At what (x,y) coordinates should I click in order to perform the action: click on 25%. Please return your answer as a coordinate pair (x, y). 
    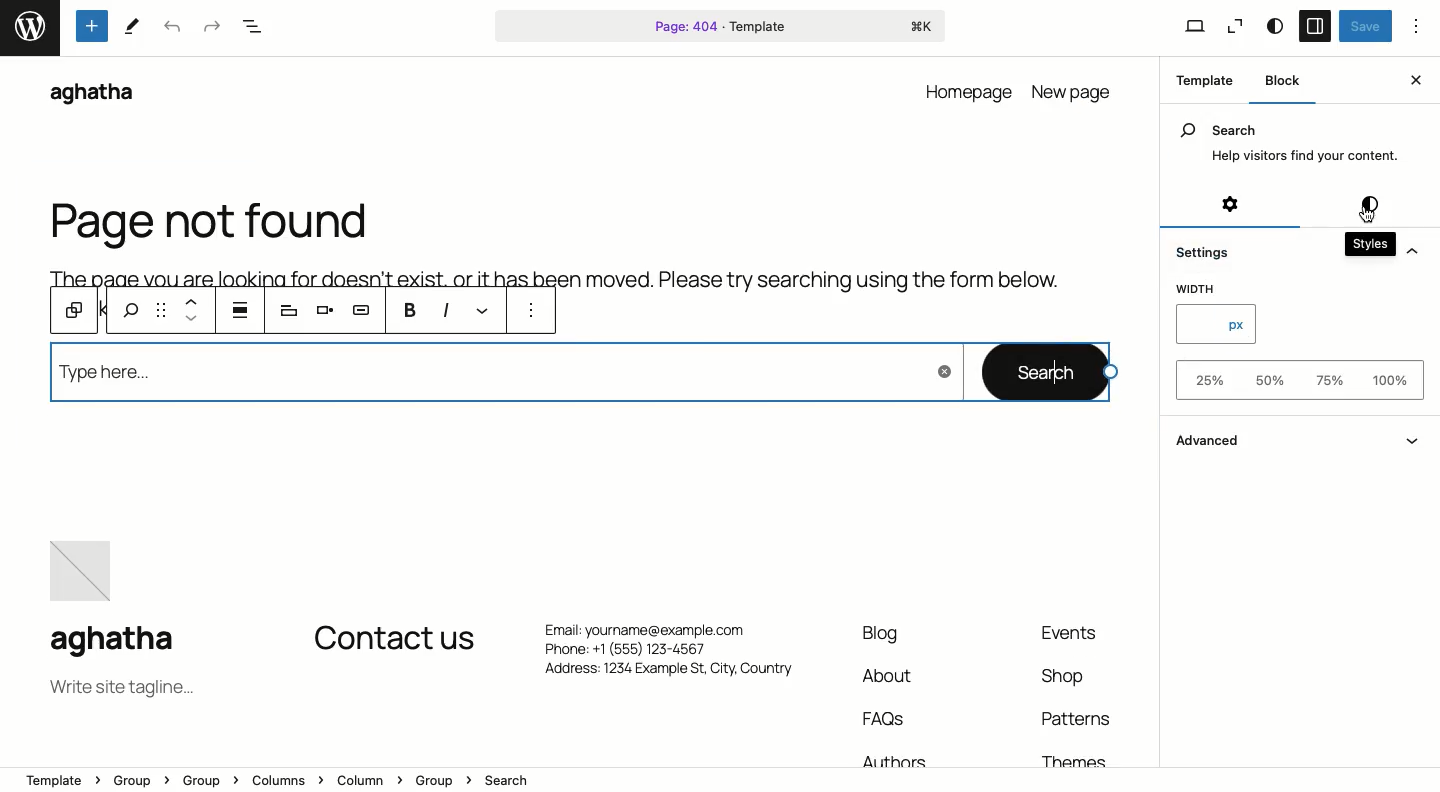
    Looking at the image, I should click on (1206, 380).